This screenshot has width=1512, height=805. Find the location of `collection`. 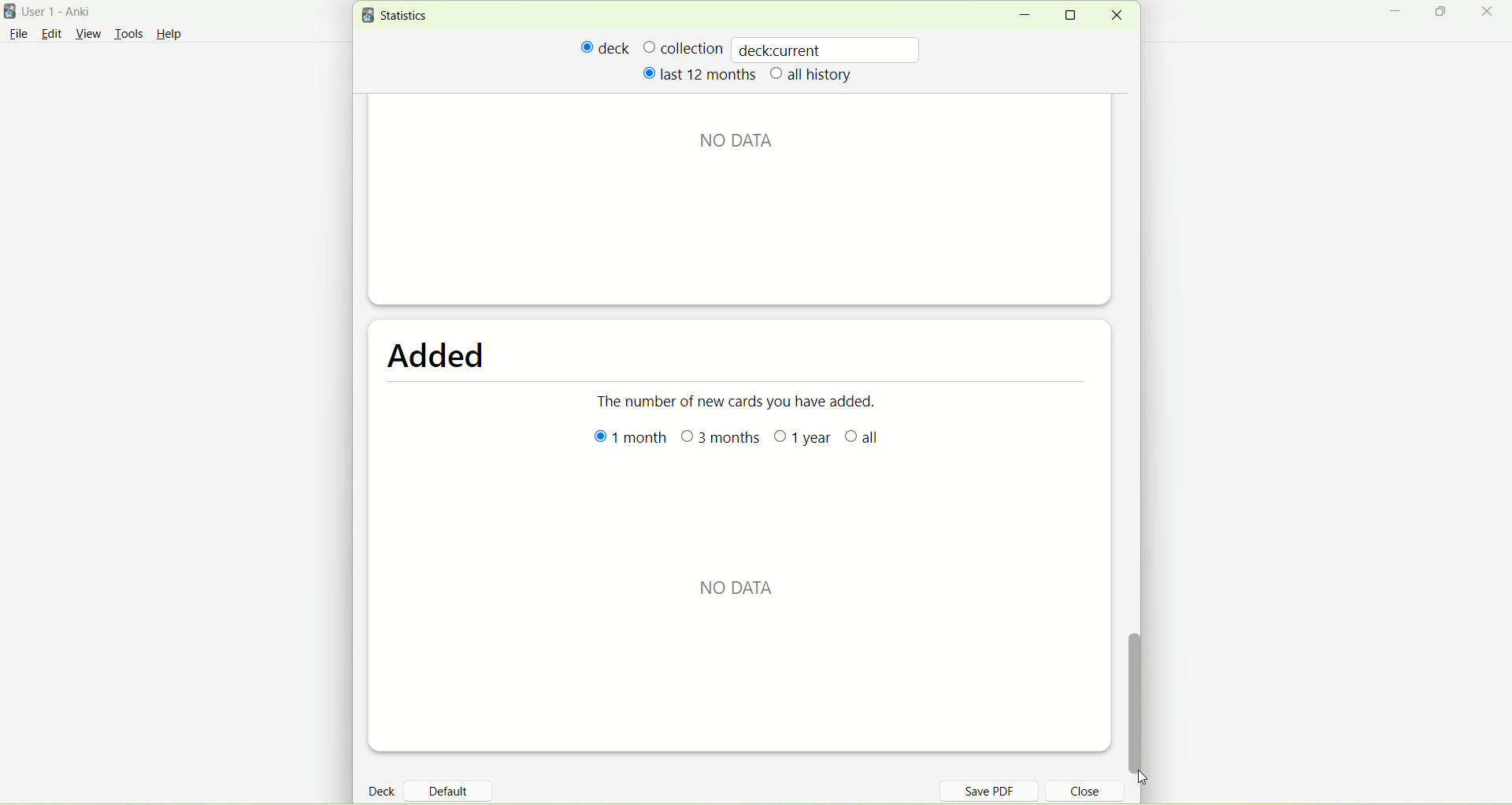

collection is located at coordinates (683, 47).